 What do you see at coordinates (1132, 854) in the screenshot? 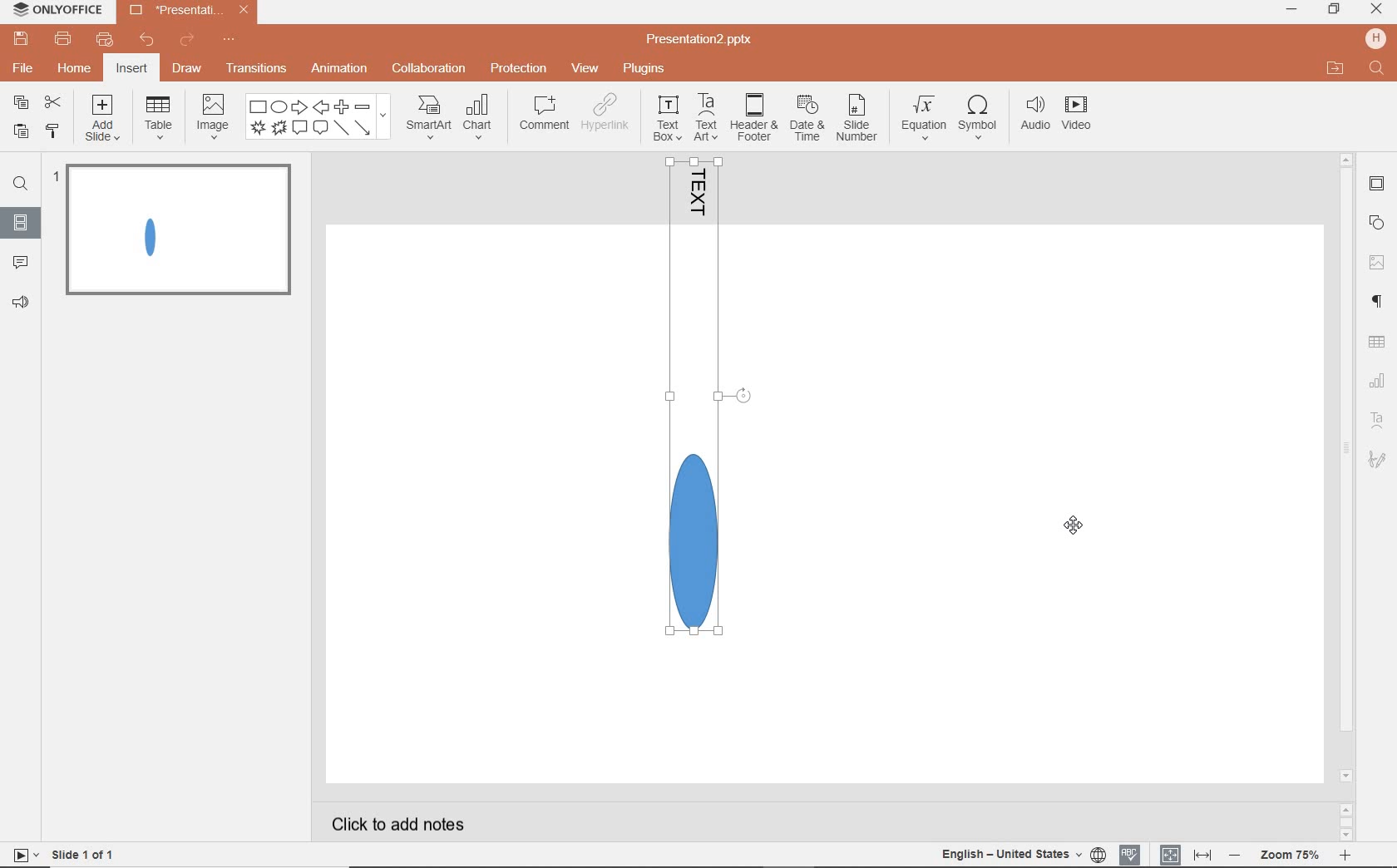
I see `SPELL CHECKING` at bounding box center [1132, 854].